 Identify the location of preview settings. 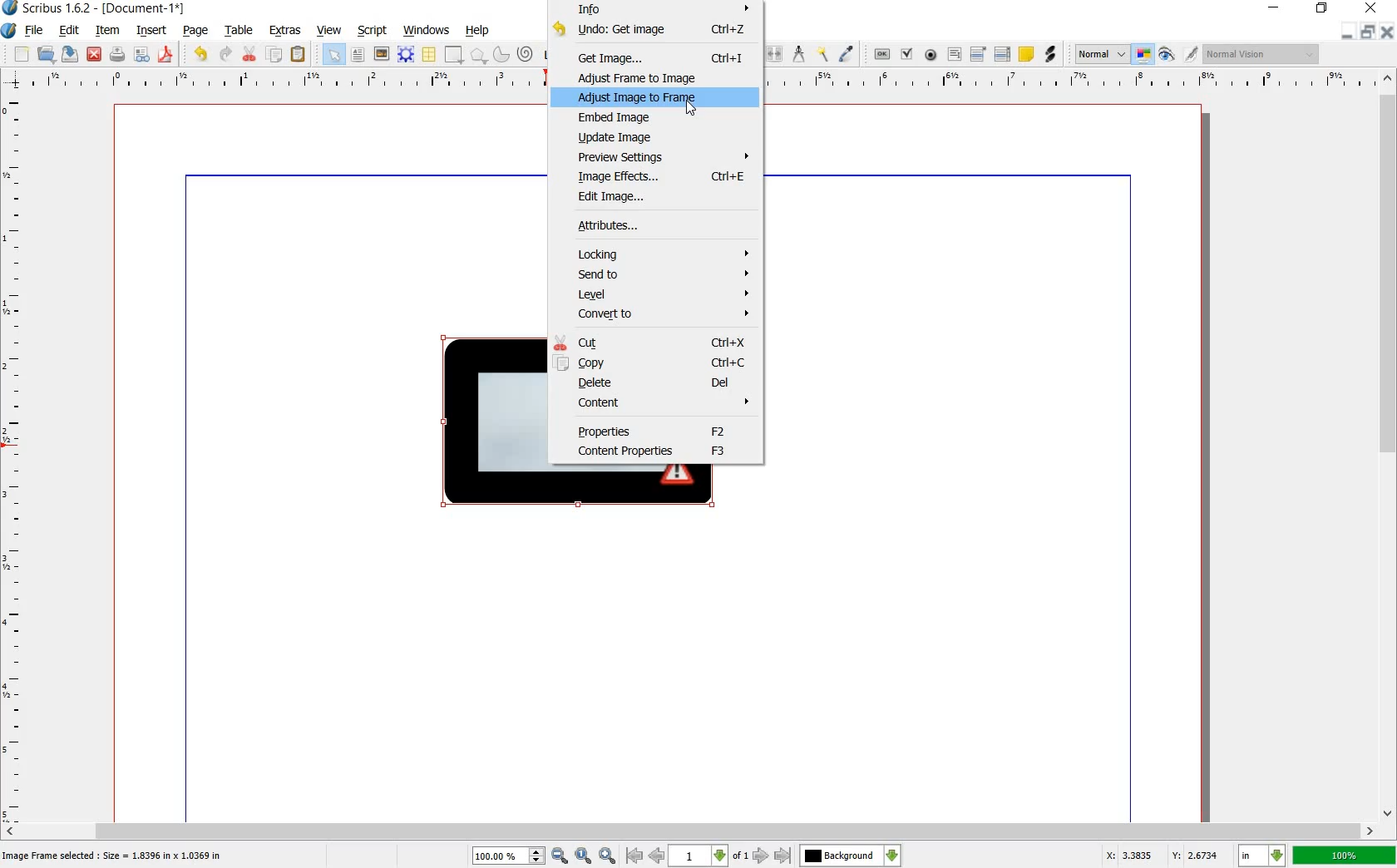
(664, 157).